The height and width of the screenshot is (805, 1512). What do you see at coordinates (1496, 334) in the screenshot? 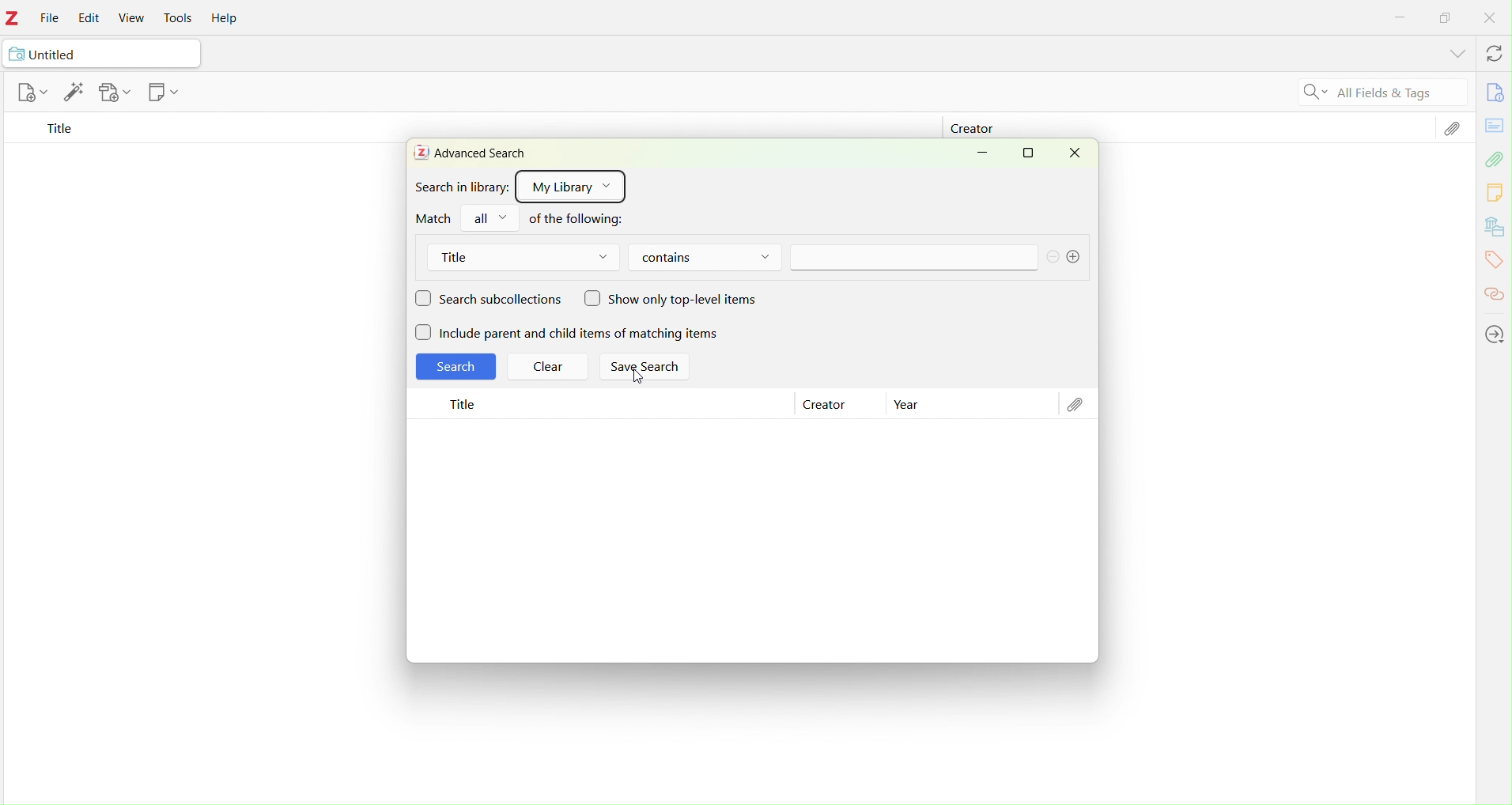
I see `Locate` at bounding box center [1496, 334].